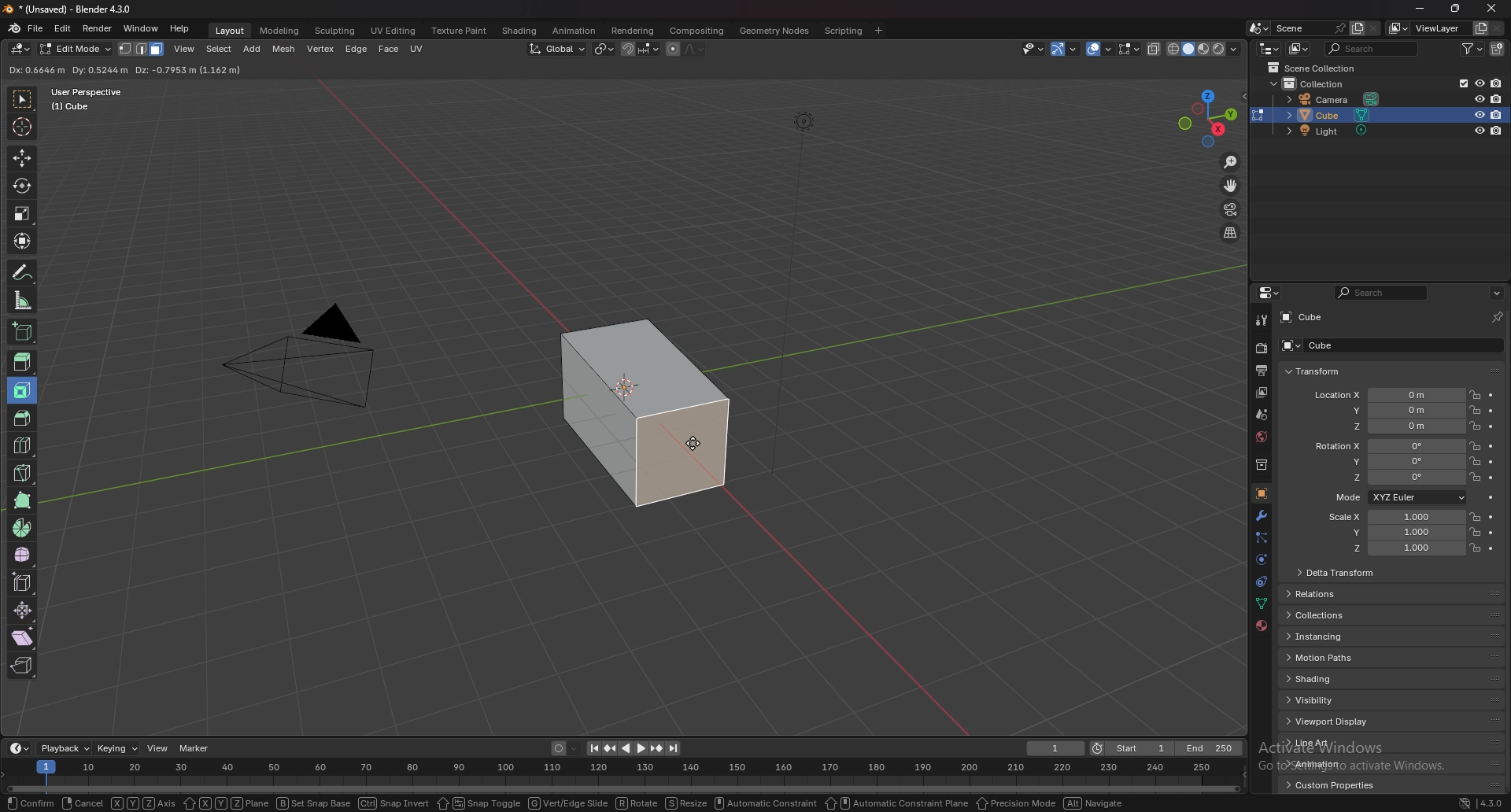 This screenshot has width=1511, height=812. What do you see at coordinates (1262, 493) in the screenshot?
I see `object` at bounding box center [1262, 493].